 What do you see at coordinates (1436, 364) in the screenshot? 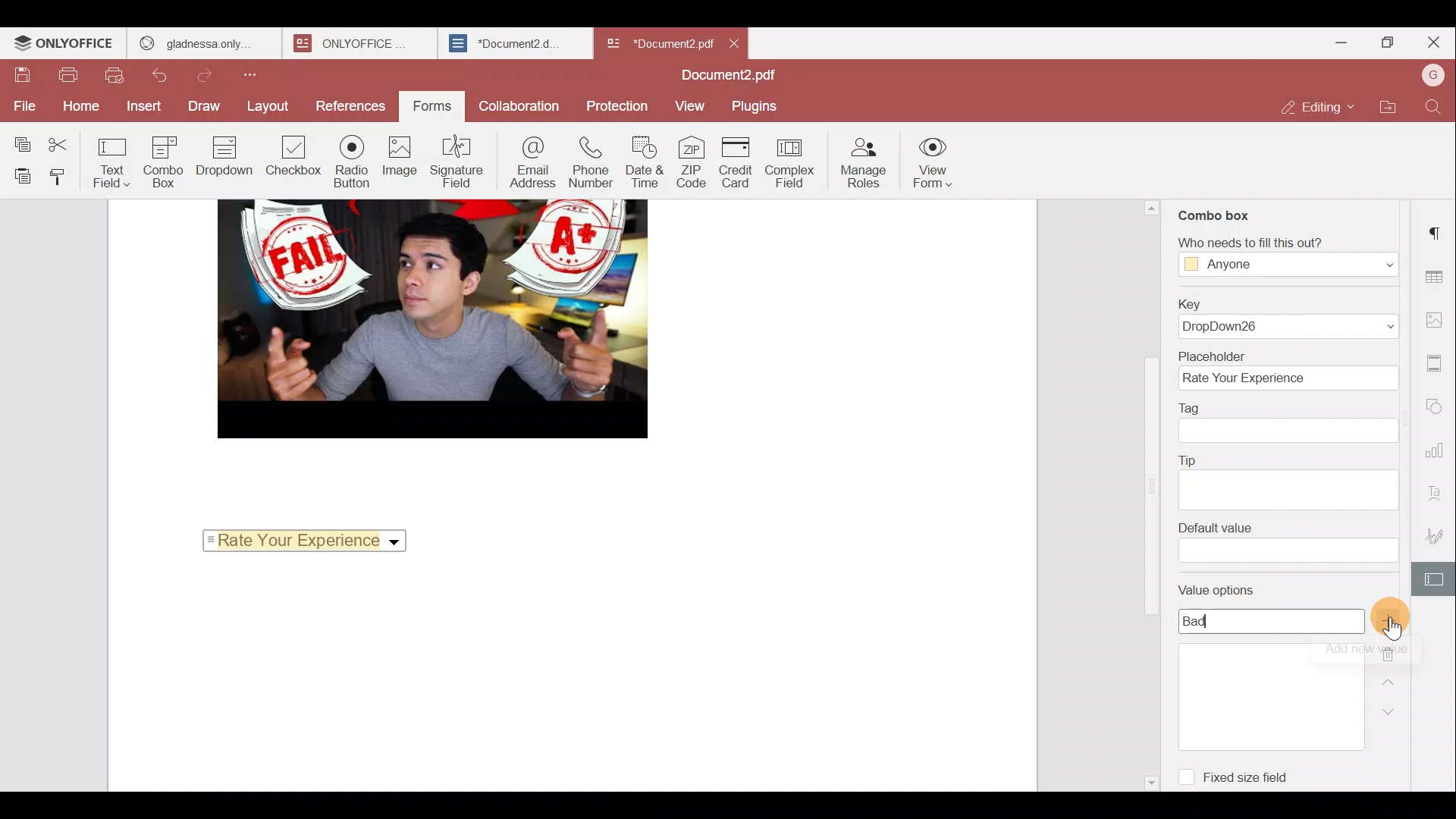
I see `Header & footer settings` at bounding box center [1436, 364].